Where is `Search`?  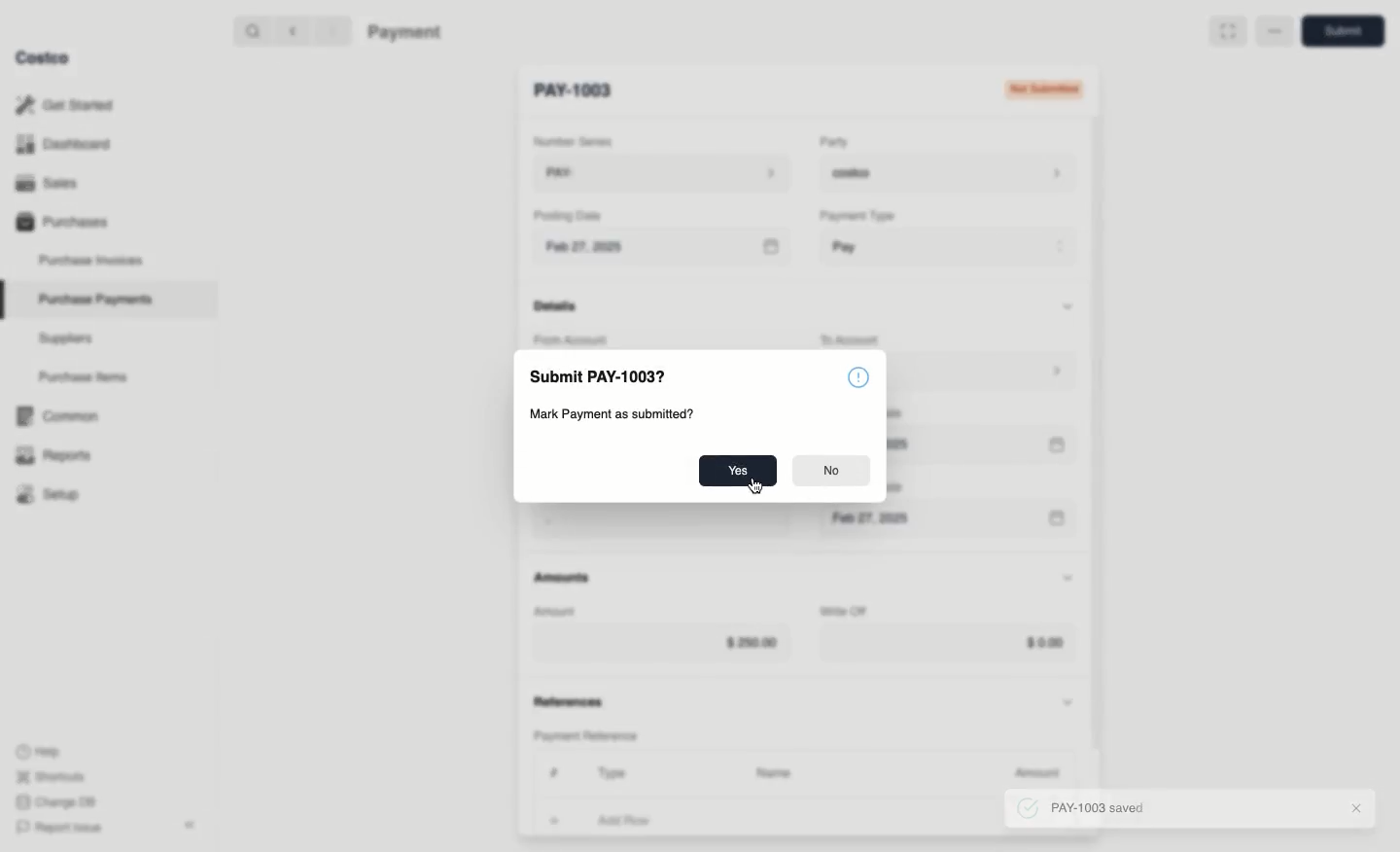 Search is located at coordinates (252, 29).